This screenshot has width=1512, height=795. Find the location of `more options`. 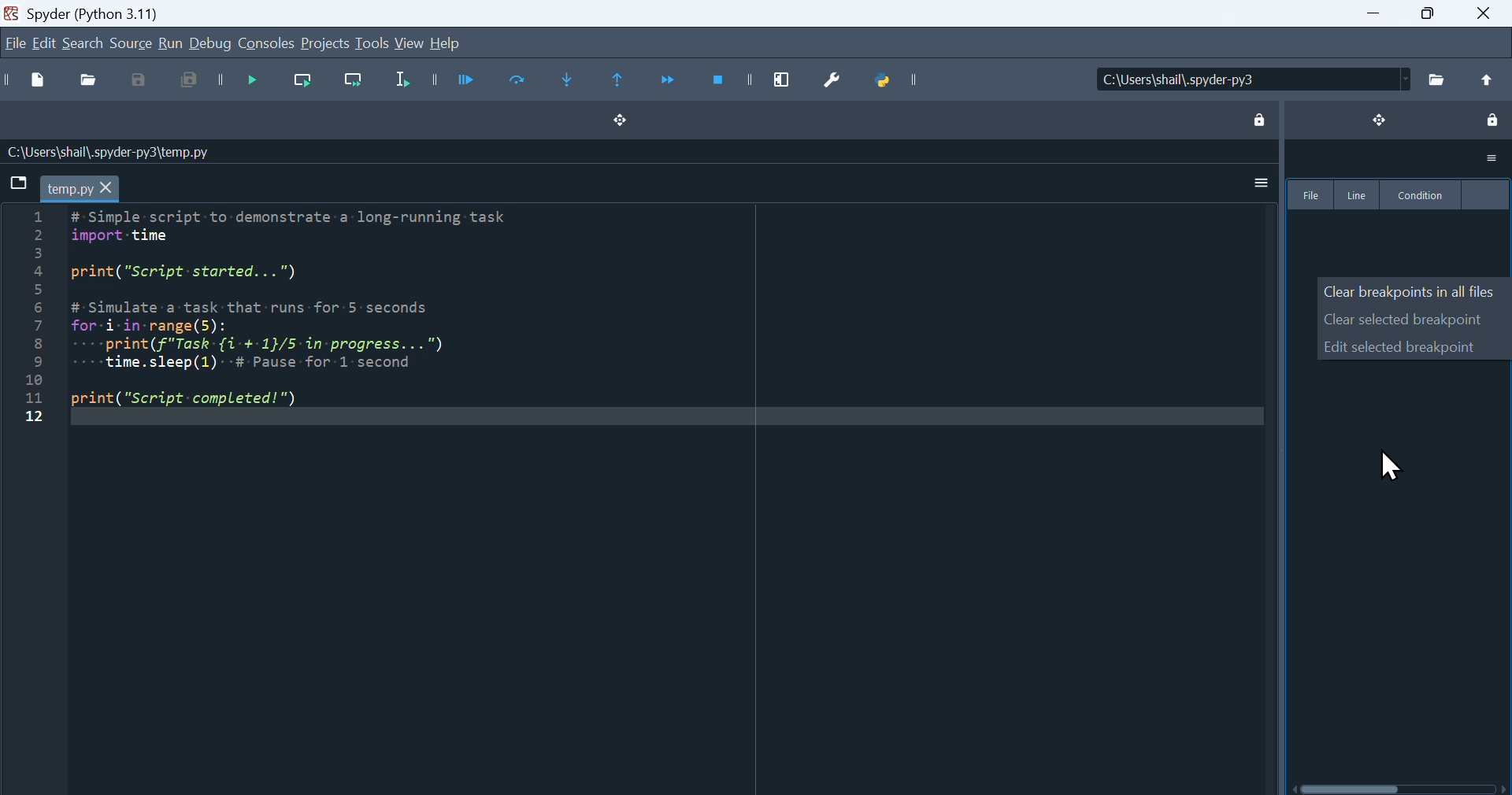

more options is located at coordinates (1492, 159).